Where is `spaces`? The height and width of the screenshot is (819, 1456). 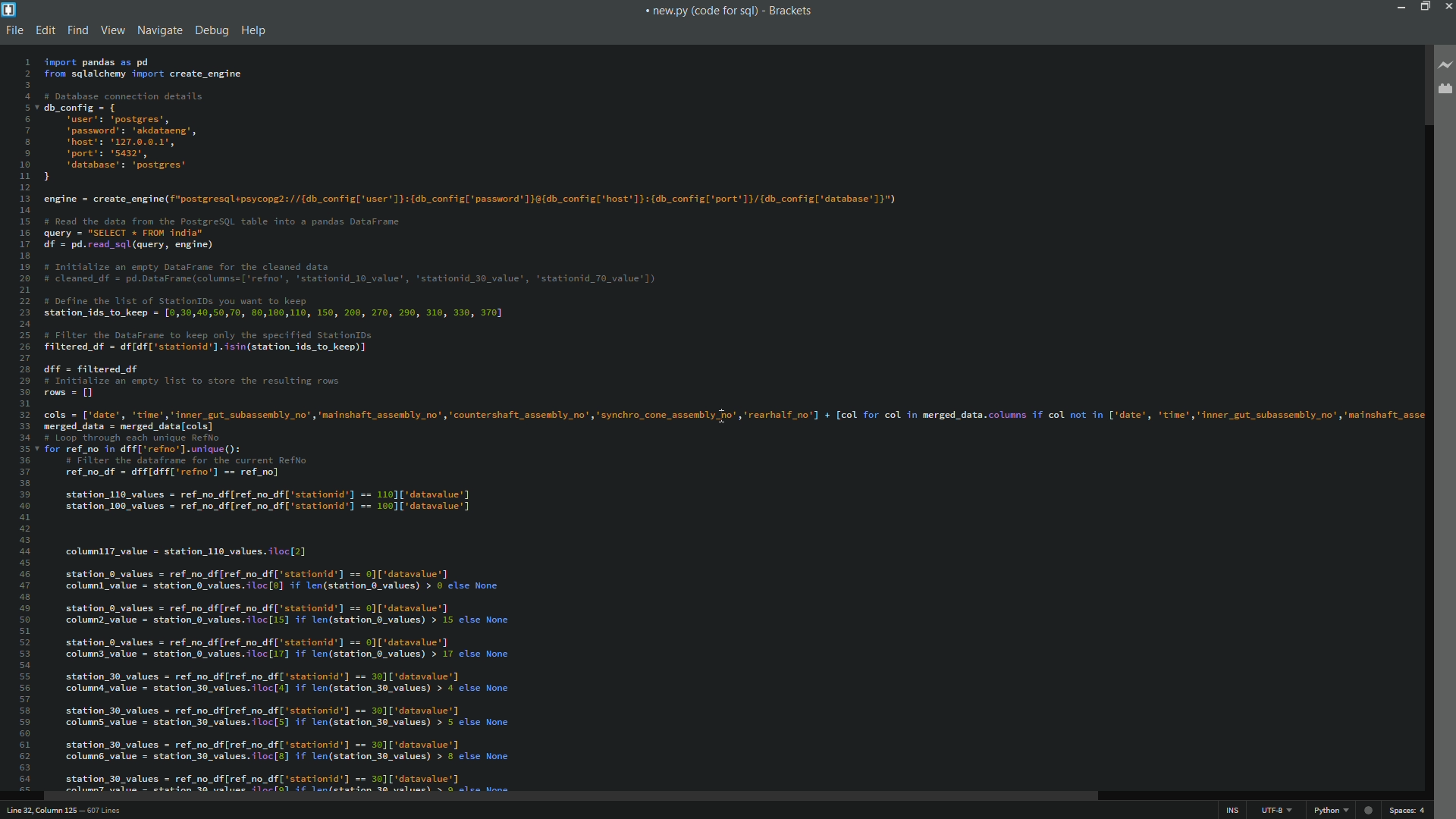 spaces is located at coordinates (1407, 810).